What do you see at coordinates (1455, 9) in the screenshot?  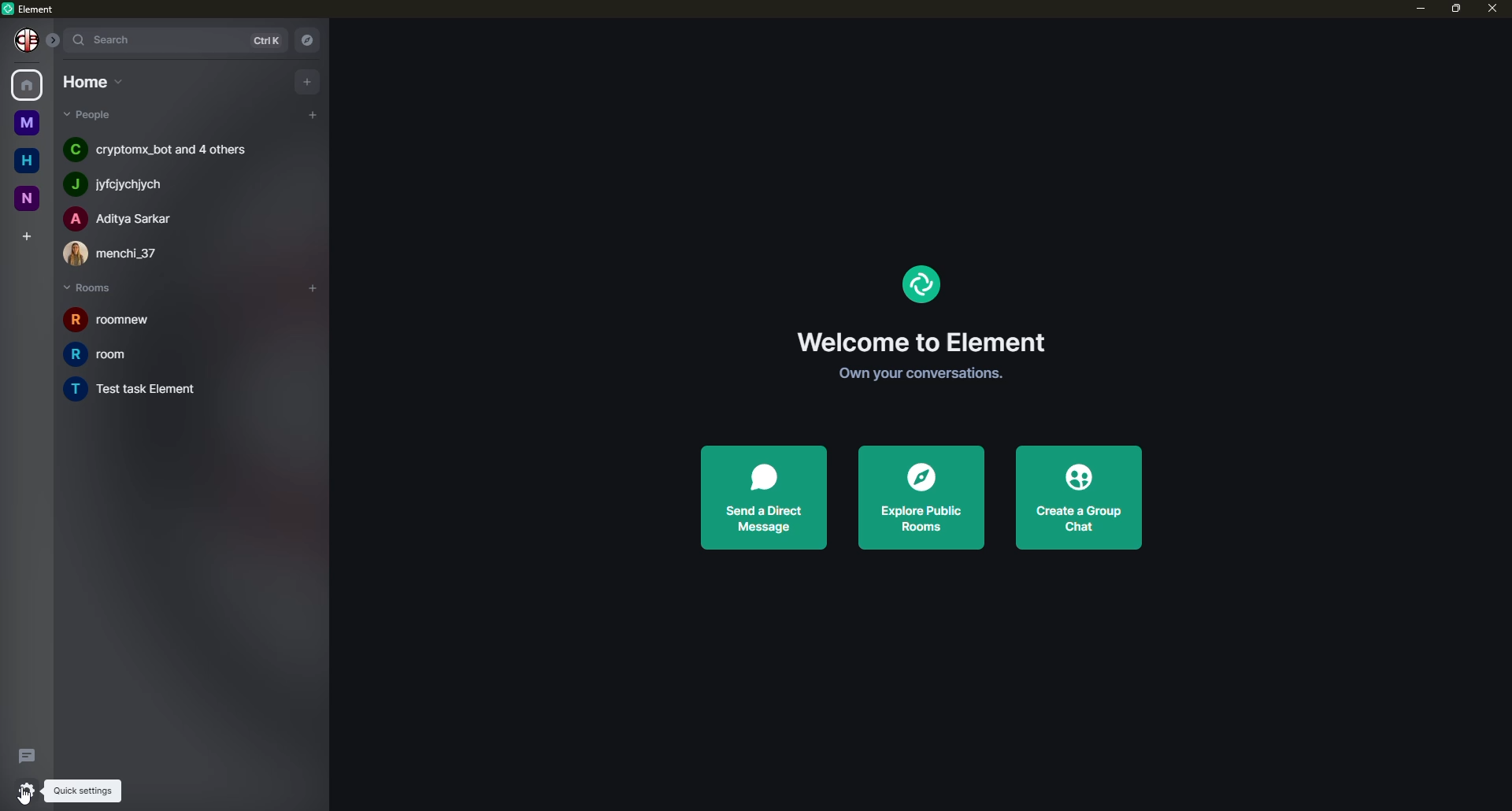 I see `maximize` at bounding box center [1455, 9].